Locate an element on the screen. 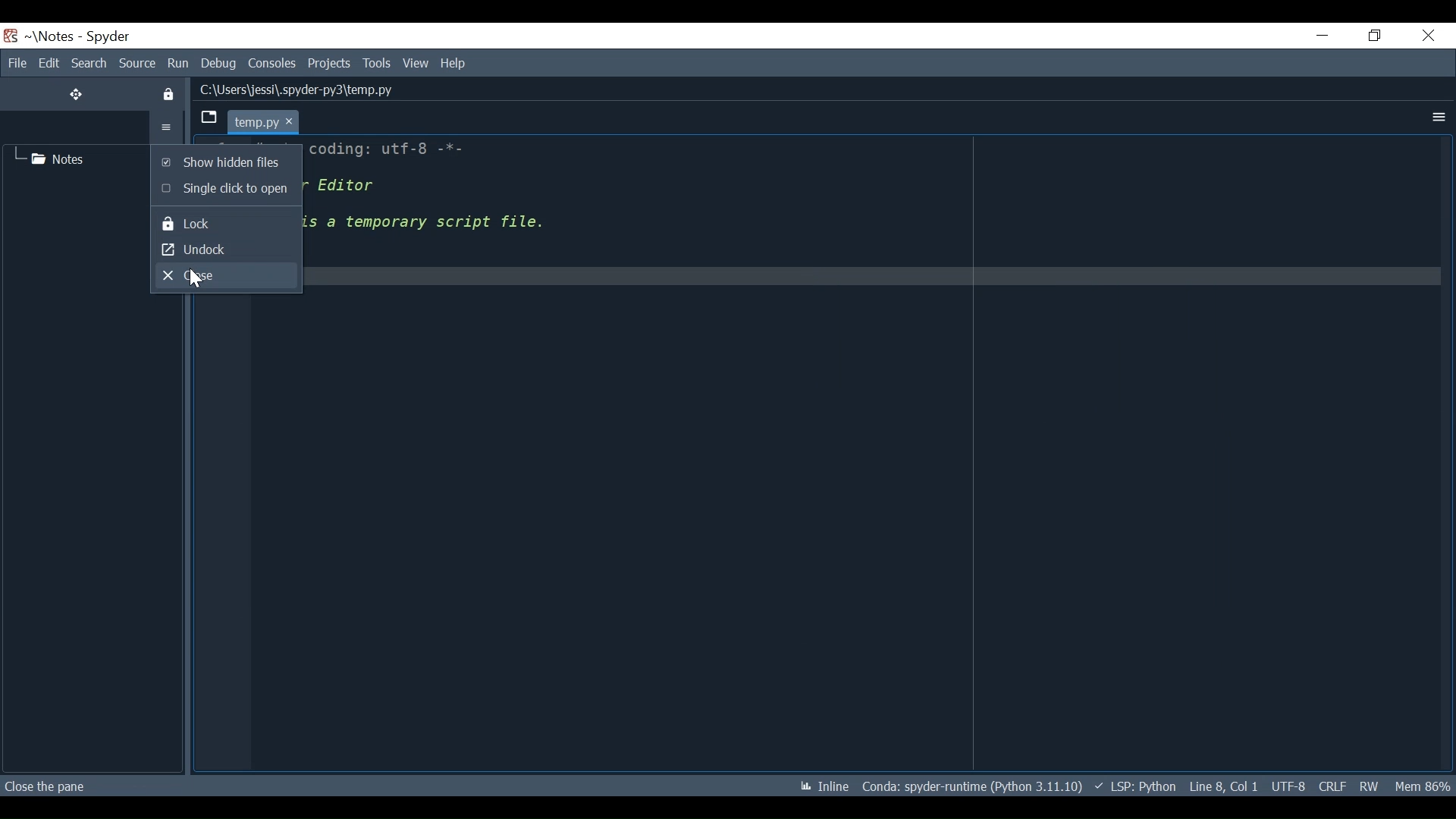  RW is located at coordinates (1373, 787).